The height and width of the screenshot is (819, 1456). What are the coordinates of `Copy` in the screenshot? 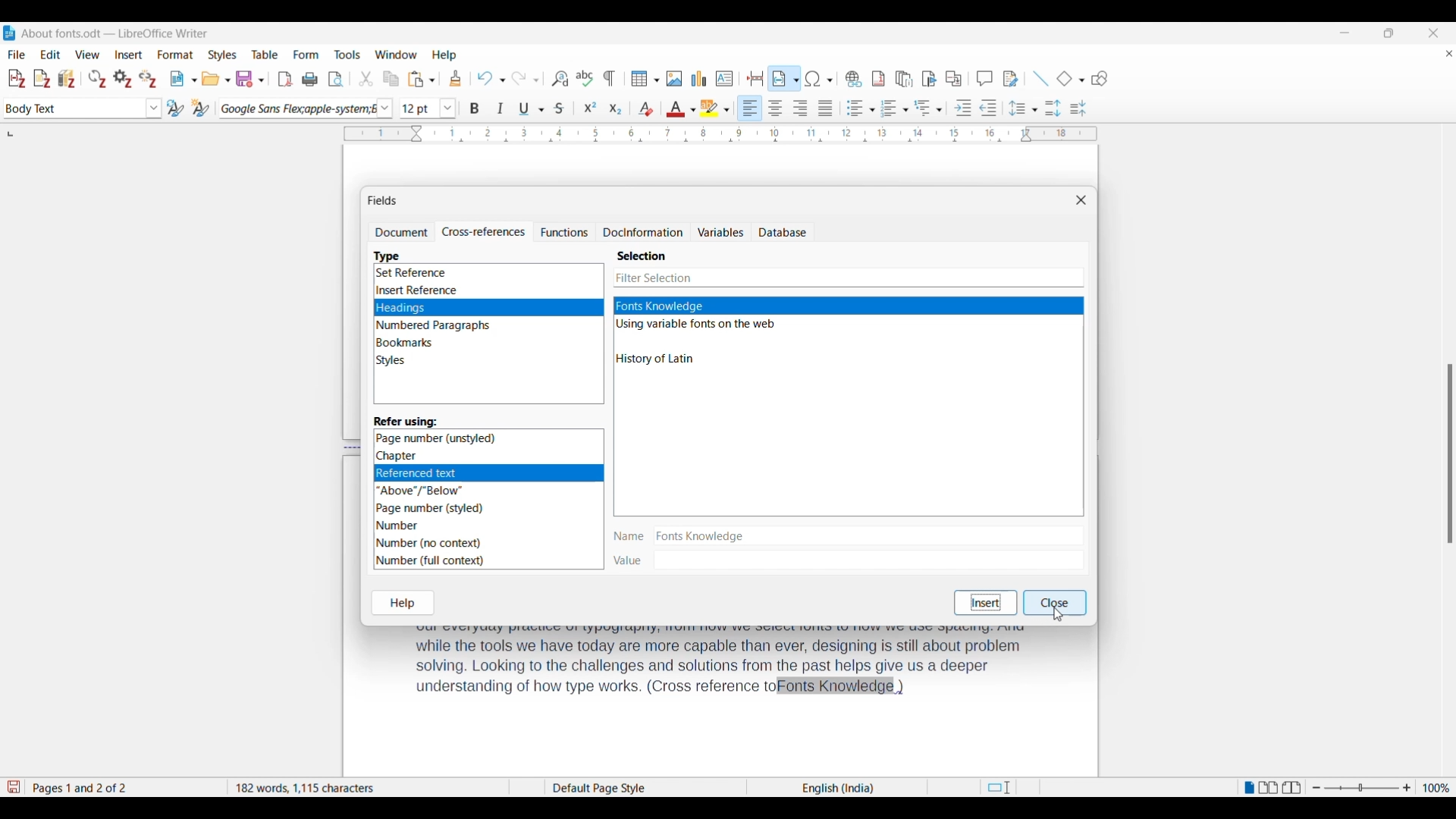 It's located at (391, 80).